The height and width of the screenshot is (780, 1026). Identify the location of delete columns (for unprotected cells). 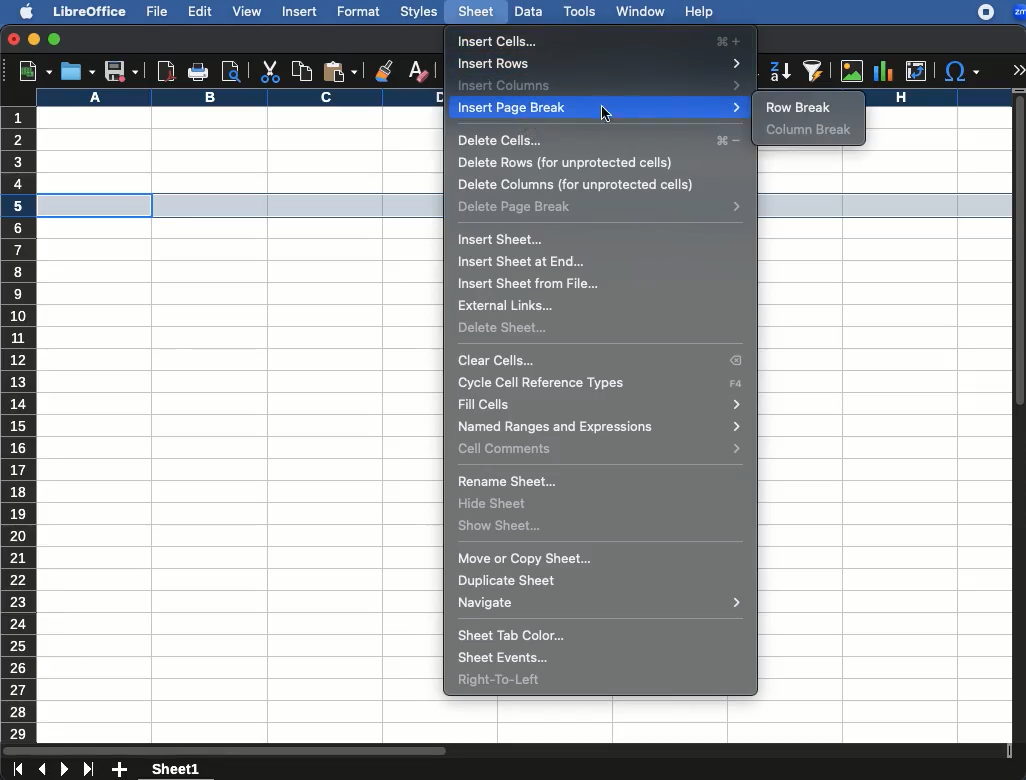
(576, 186).